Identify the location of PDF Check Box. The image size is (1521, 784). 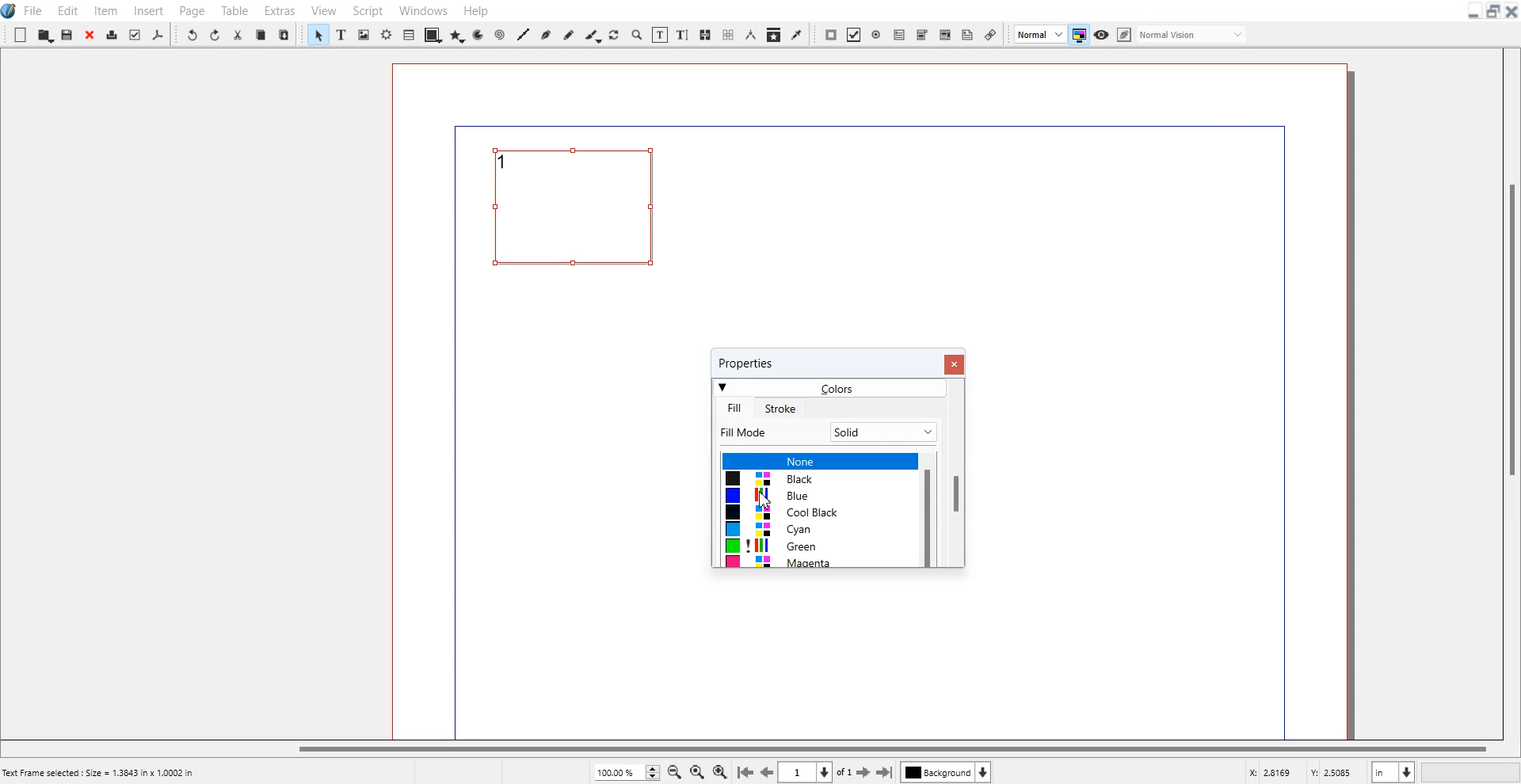
(855, 35).